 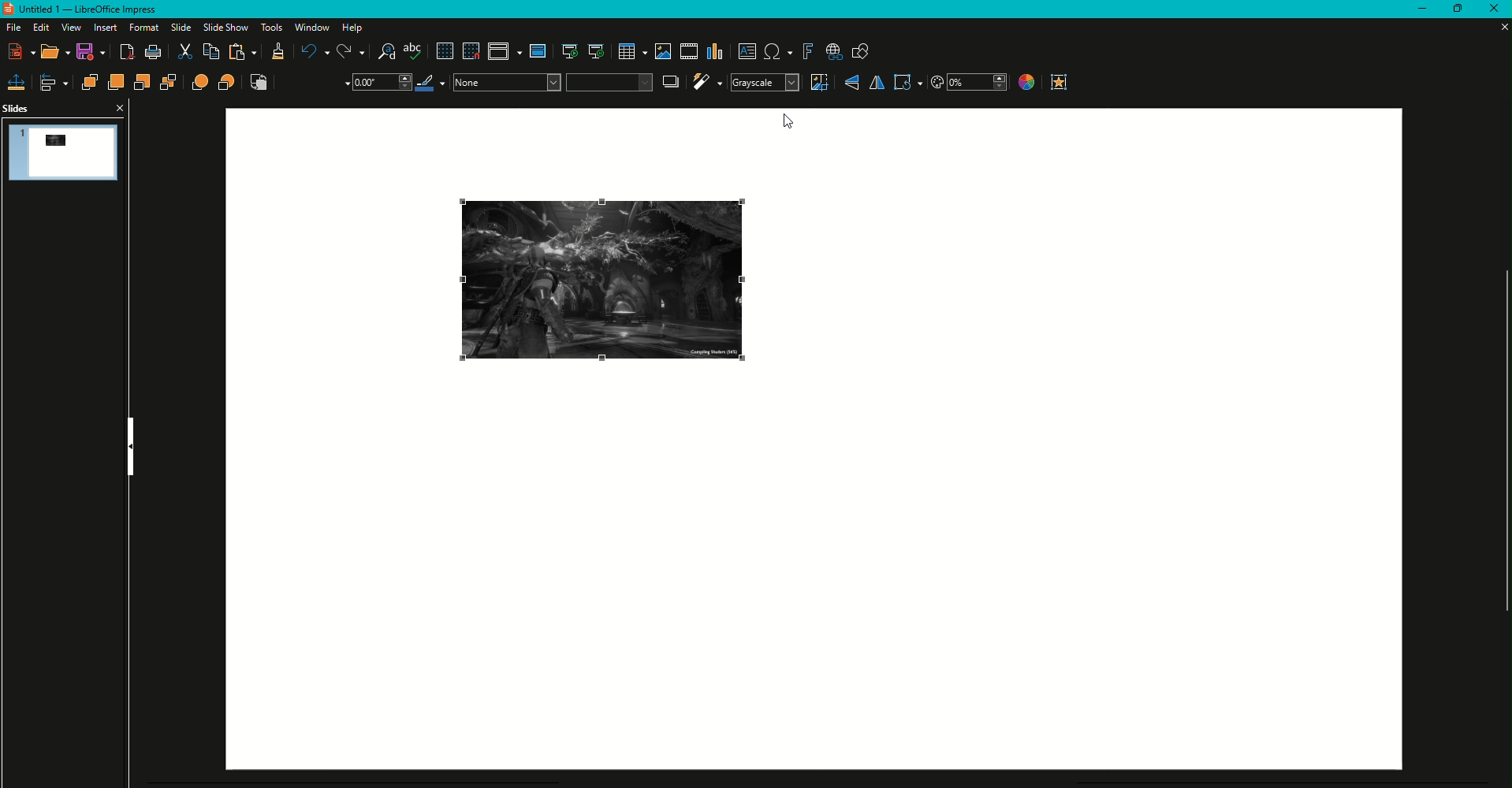 What do you see at coordinates (764, 83) in the screenshot?
I see `Image Mode` at bounding box center [764, 83].